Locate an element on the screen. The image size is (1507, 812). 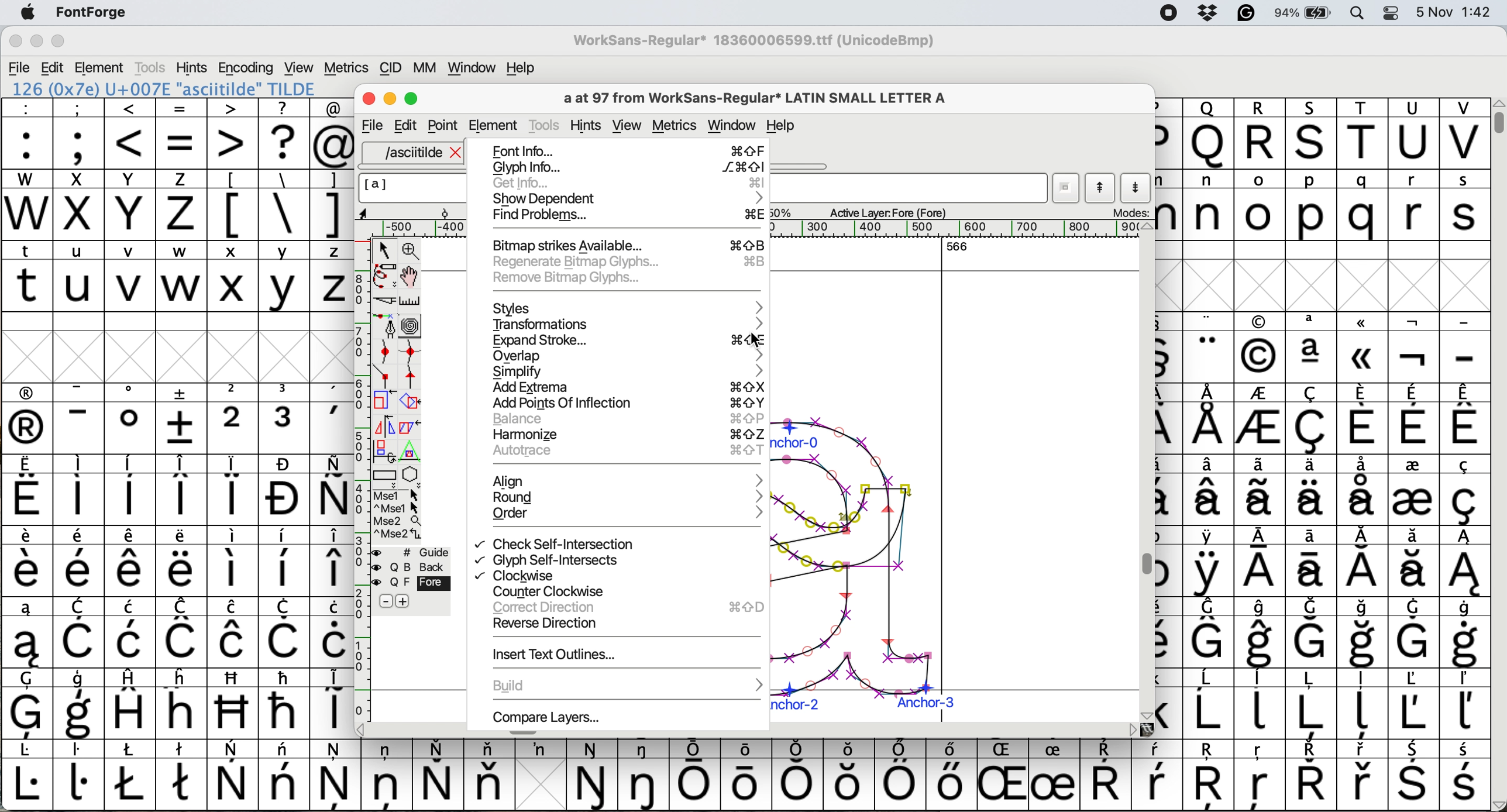
symbol is located at coordinates (183, 632).